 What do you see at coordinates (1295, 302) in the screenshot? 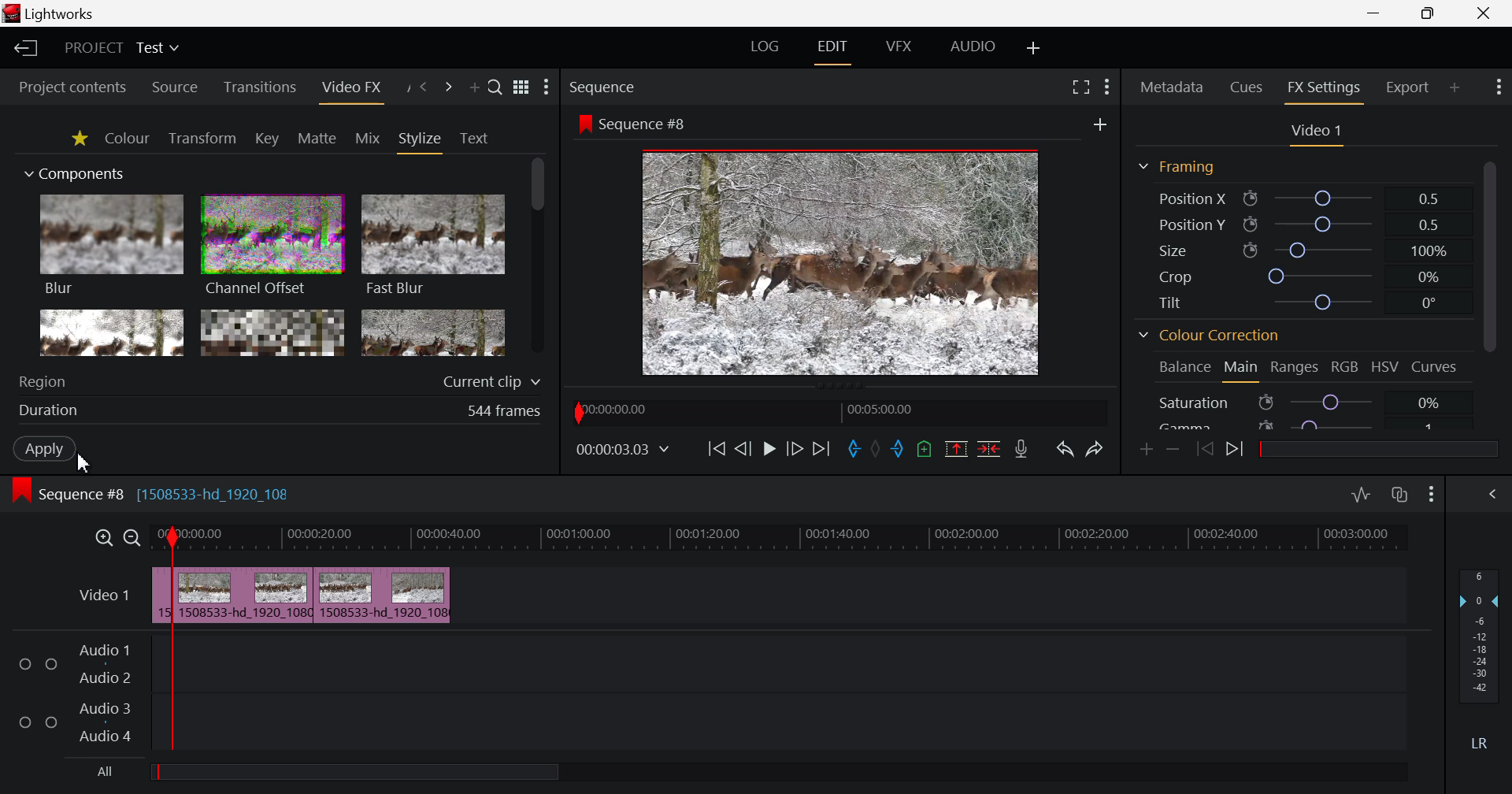
I see `Tilt` at bounding box center [1295, 302].